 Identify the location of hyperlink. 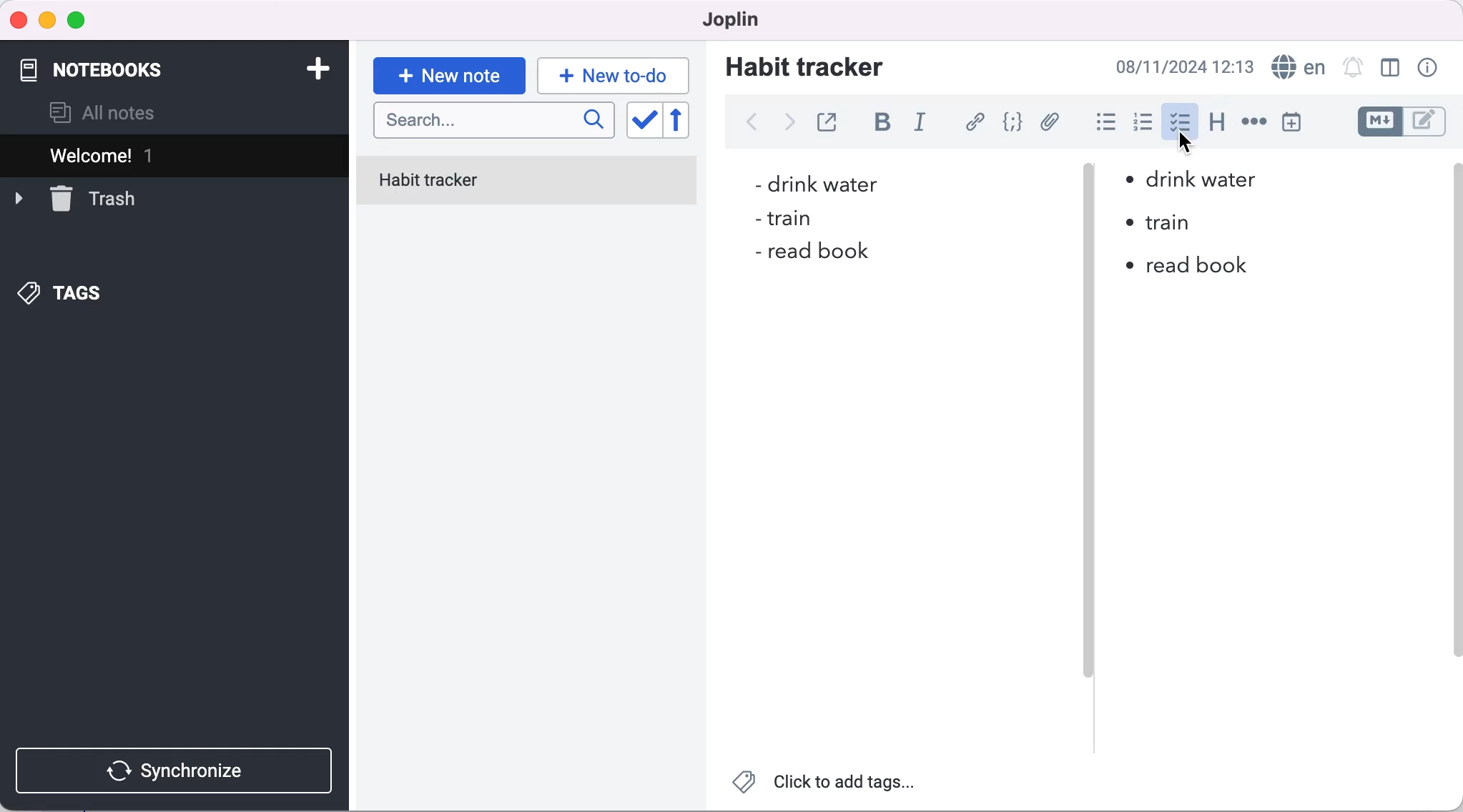
(977, 122).